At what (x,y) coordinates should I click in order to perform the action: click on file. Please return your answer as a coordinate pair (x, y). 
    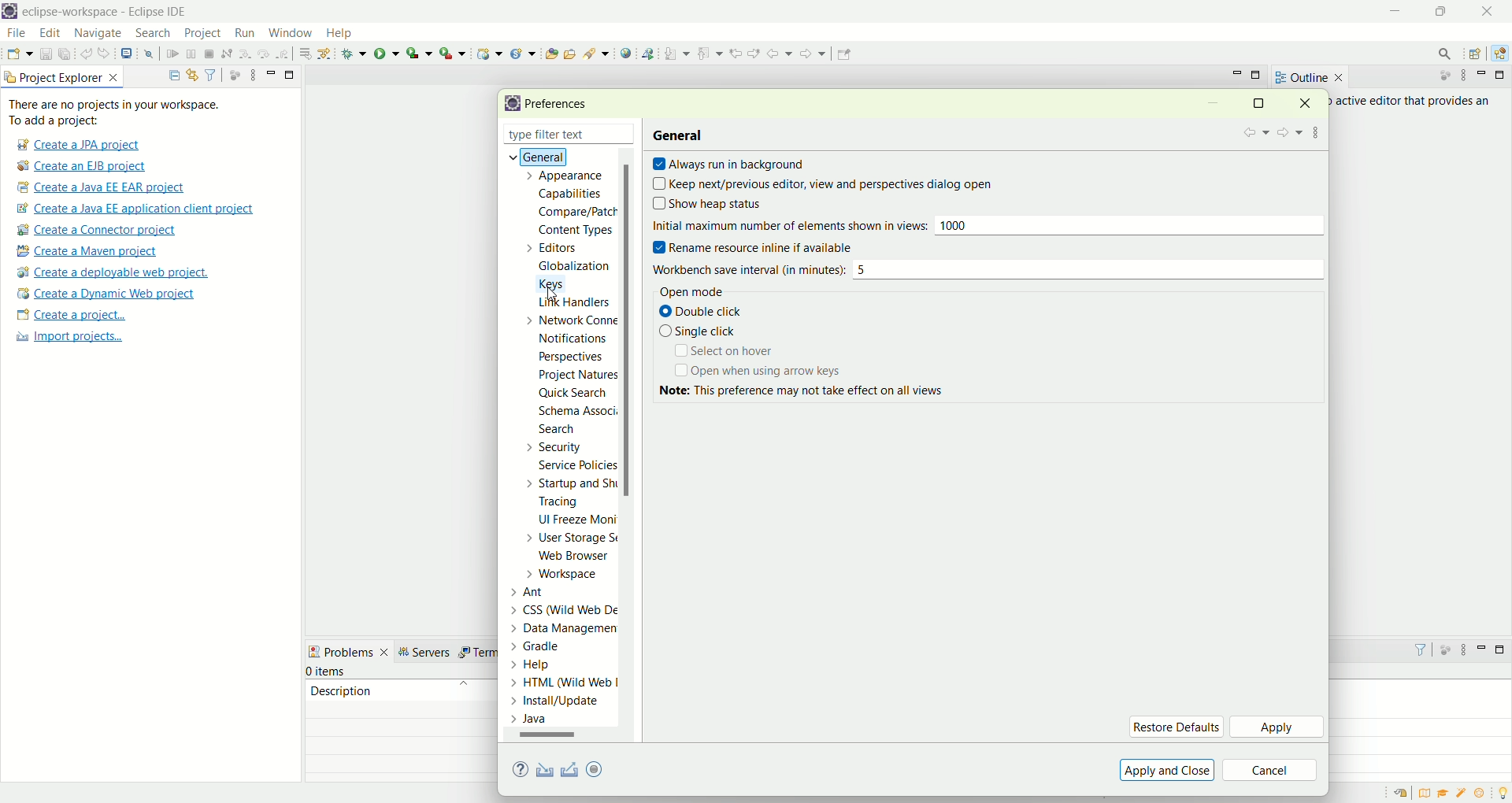
    Looking at the image, I should click on (15, 34).